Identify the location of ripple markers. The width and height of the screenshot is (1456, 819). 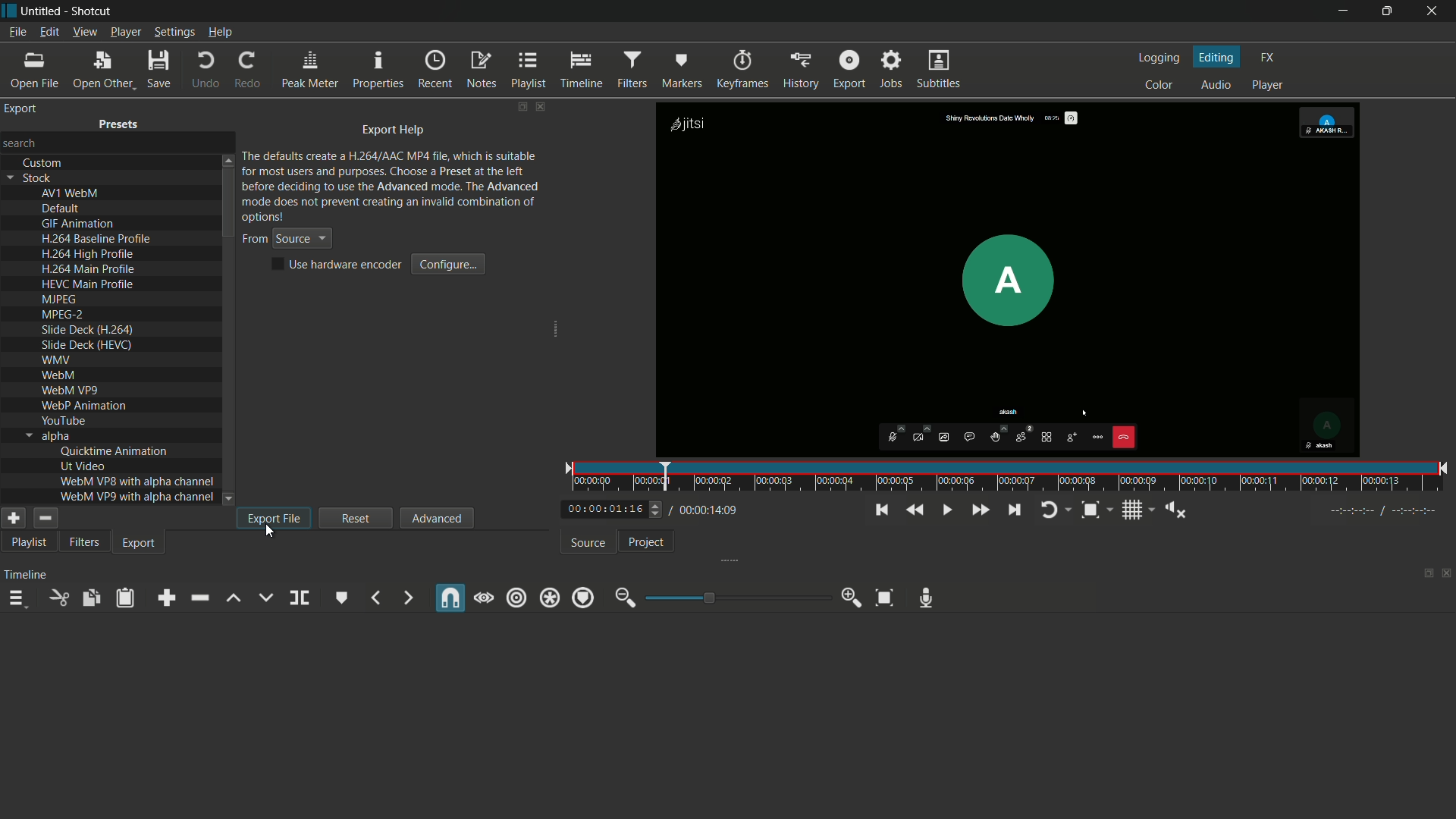
(583, 598).